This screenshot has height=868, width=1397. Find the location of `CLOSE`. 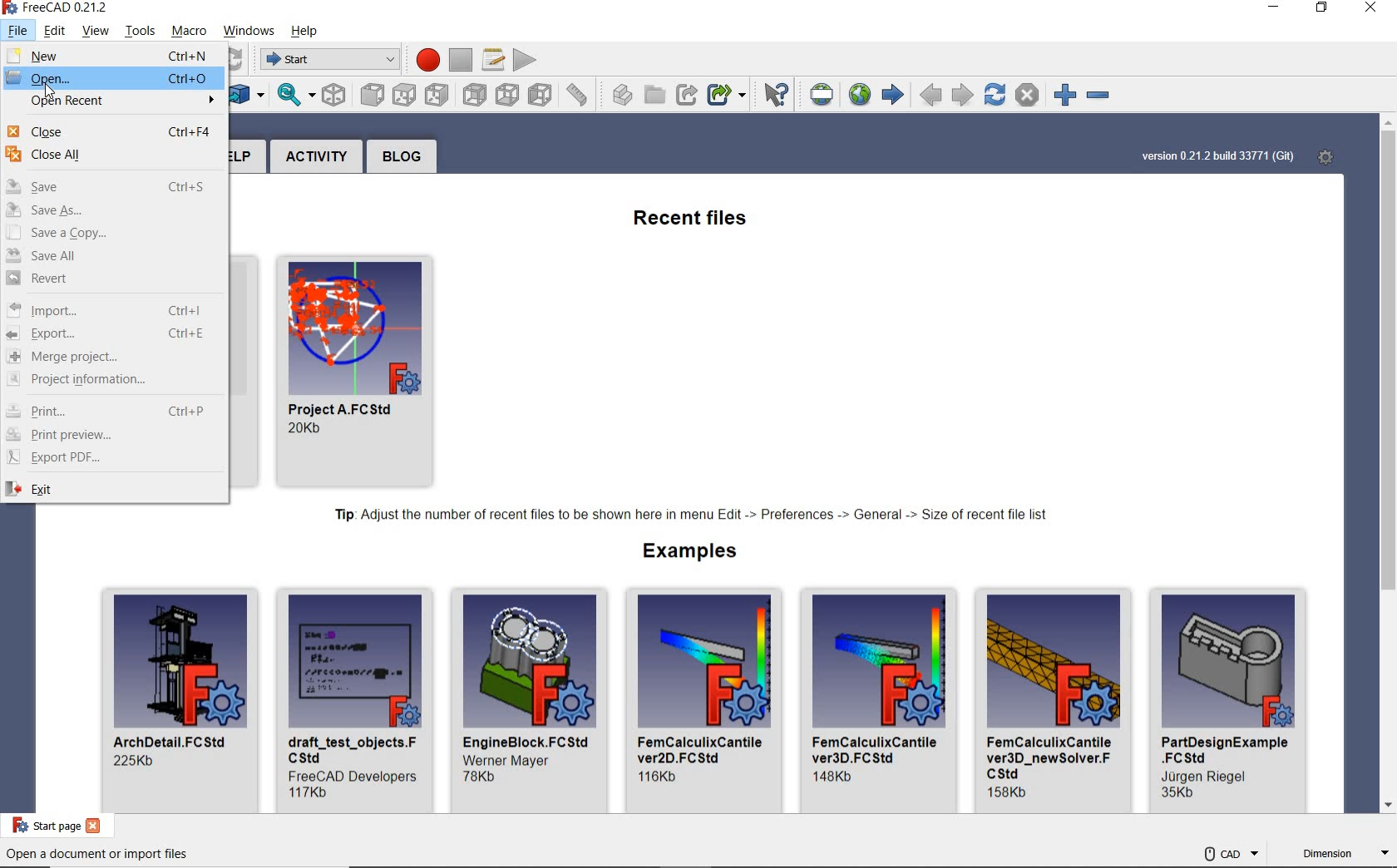

CLOSE is located at coordinates (50, 131).